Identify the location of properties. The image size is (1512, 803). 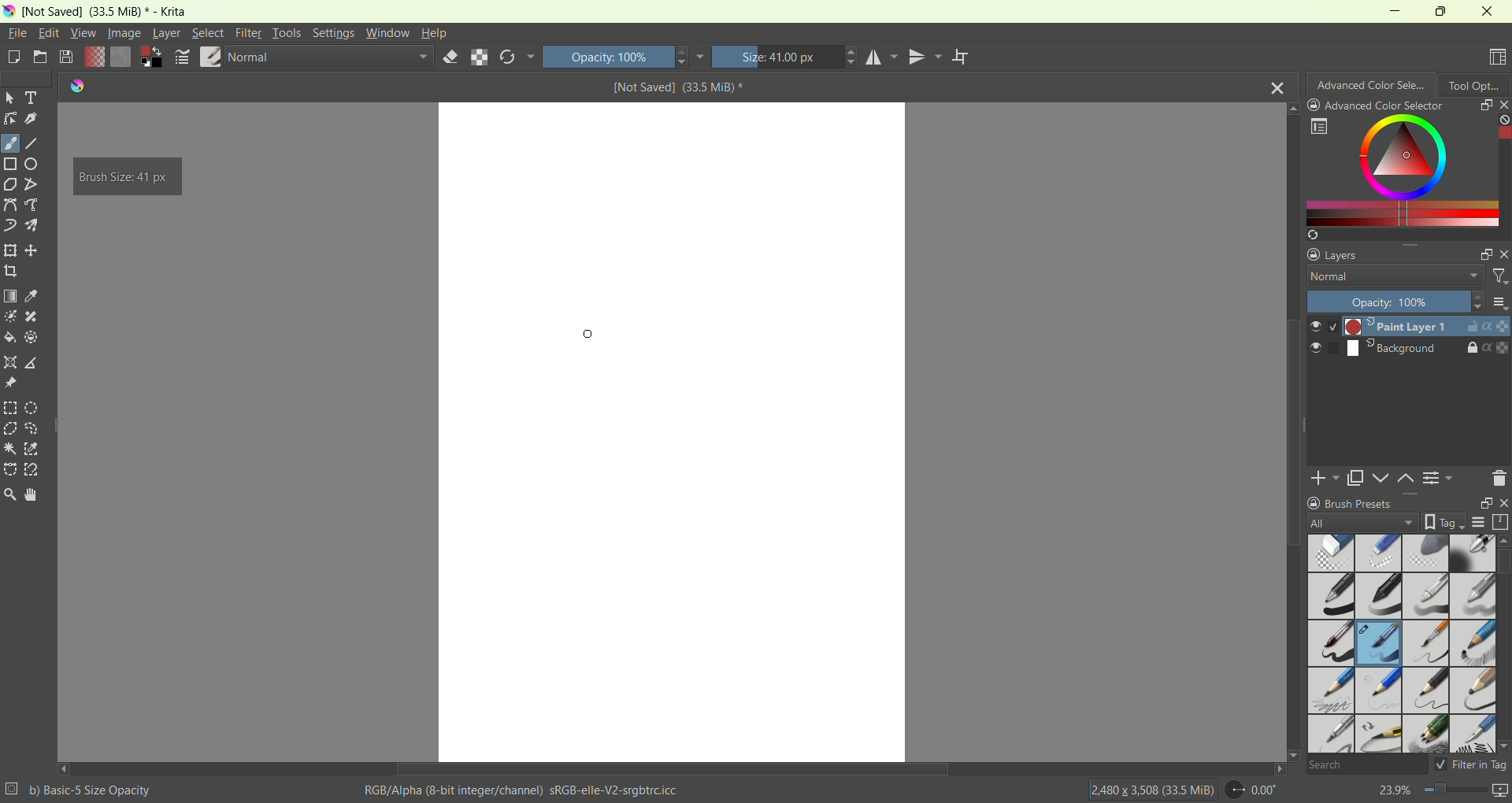
(1497, 348).